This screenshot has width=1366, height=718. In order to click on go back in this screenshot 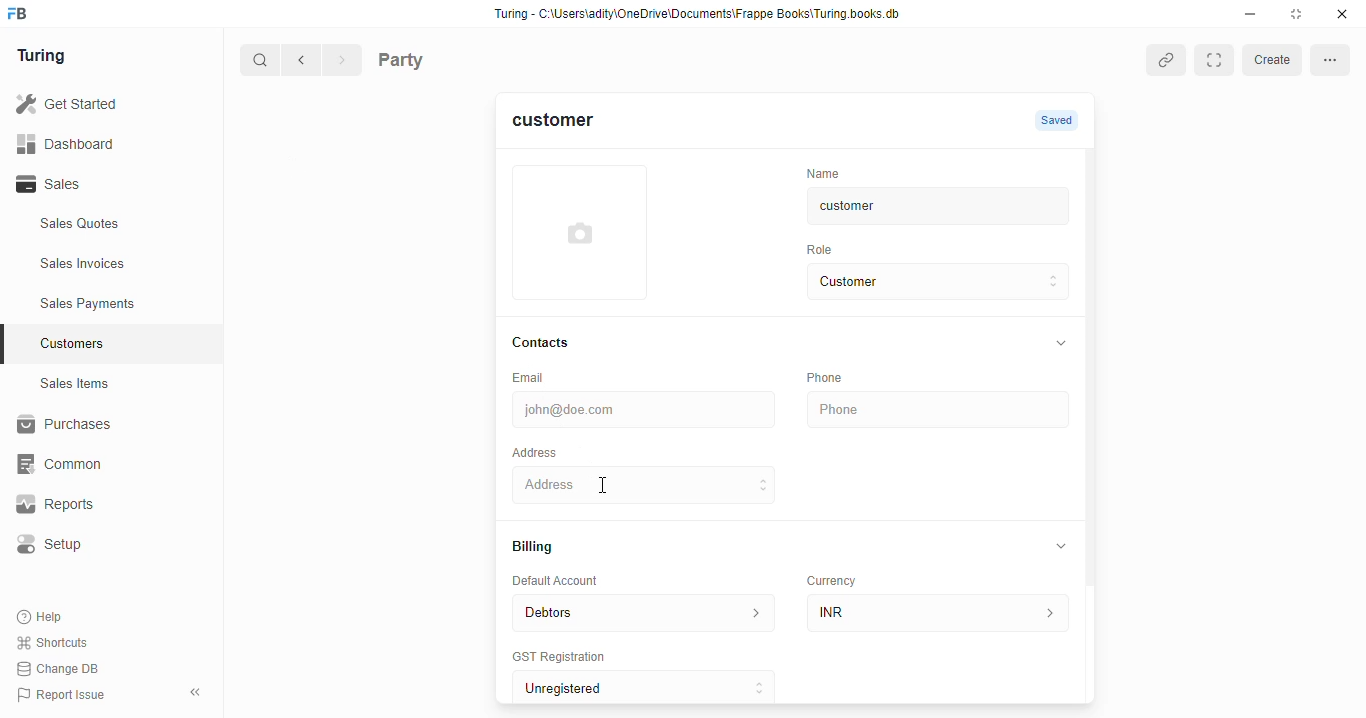, I will do `click(305, 61)`.